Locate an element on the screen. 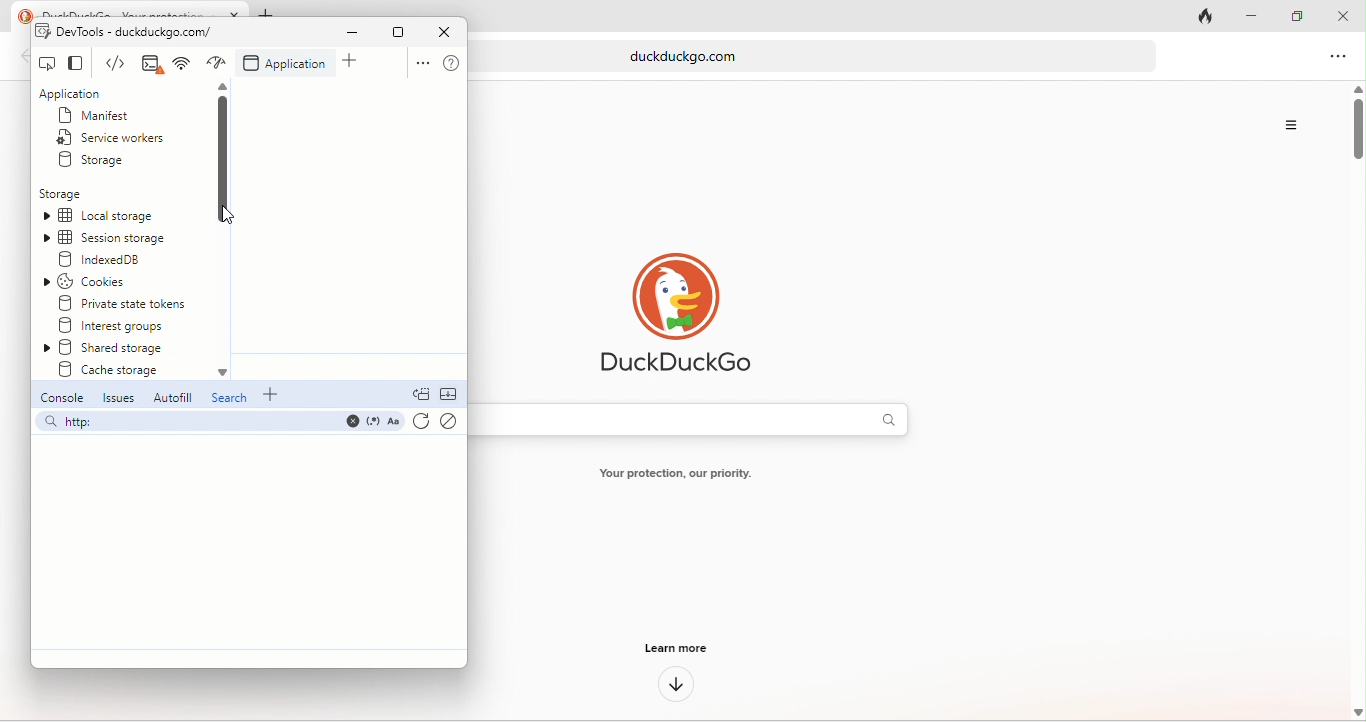 This screenshot has height=722, width=1366. storage is located at coordinates (98, 159).